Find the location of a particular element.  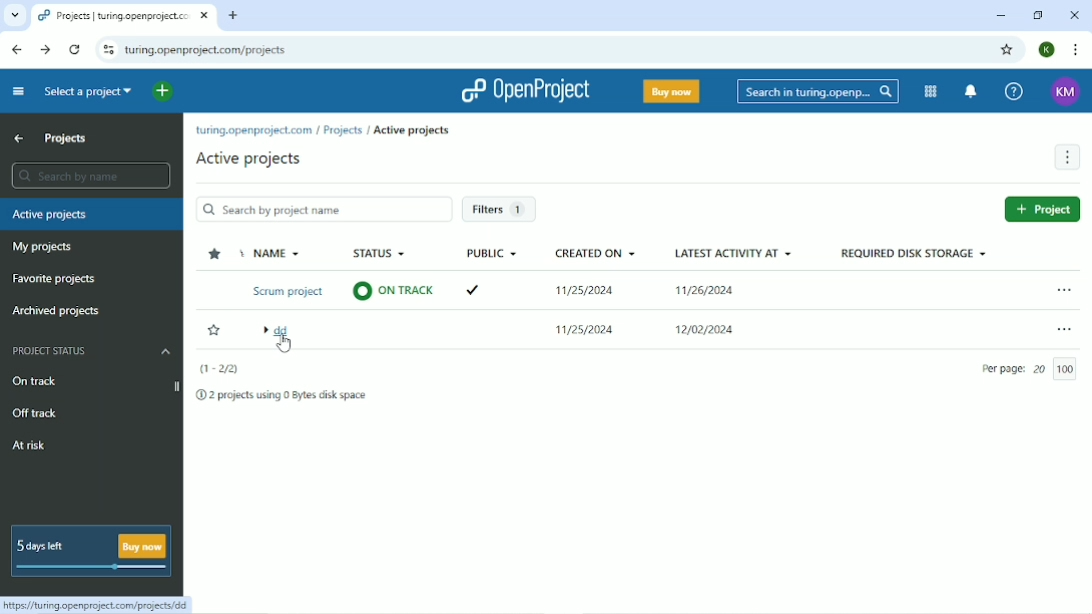

Modules is located at coordinates (931, 92).